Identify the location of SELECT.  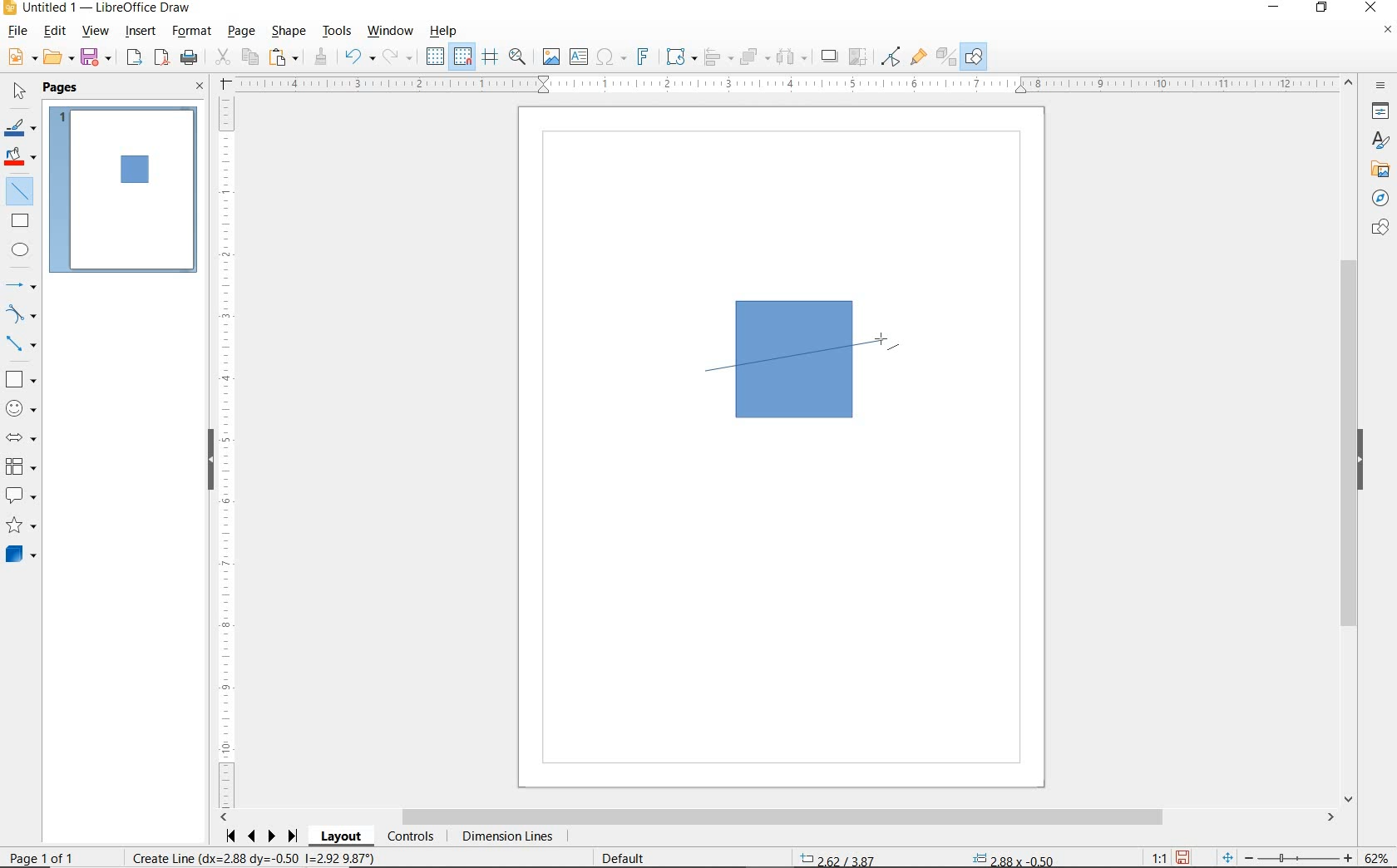
(17, 94).